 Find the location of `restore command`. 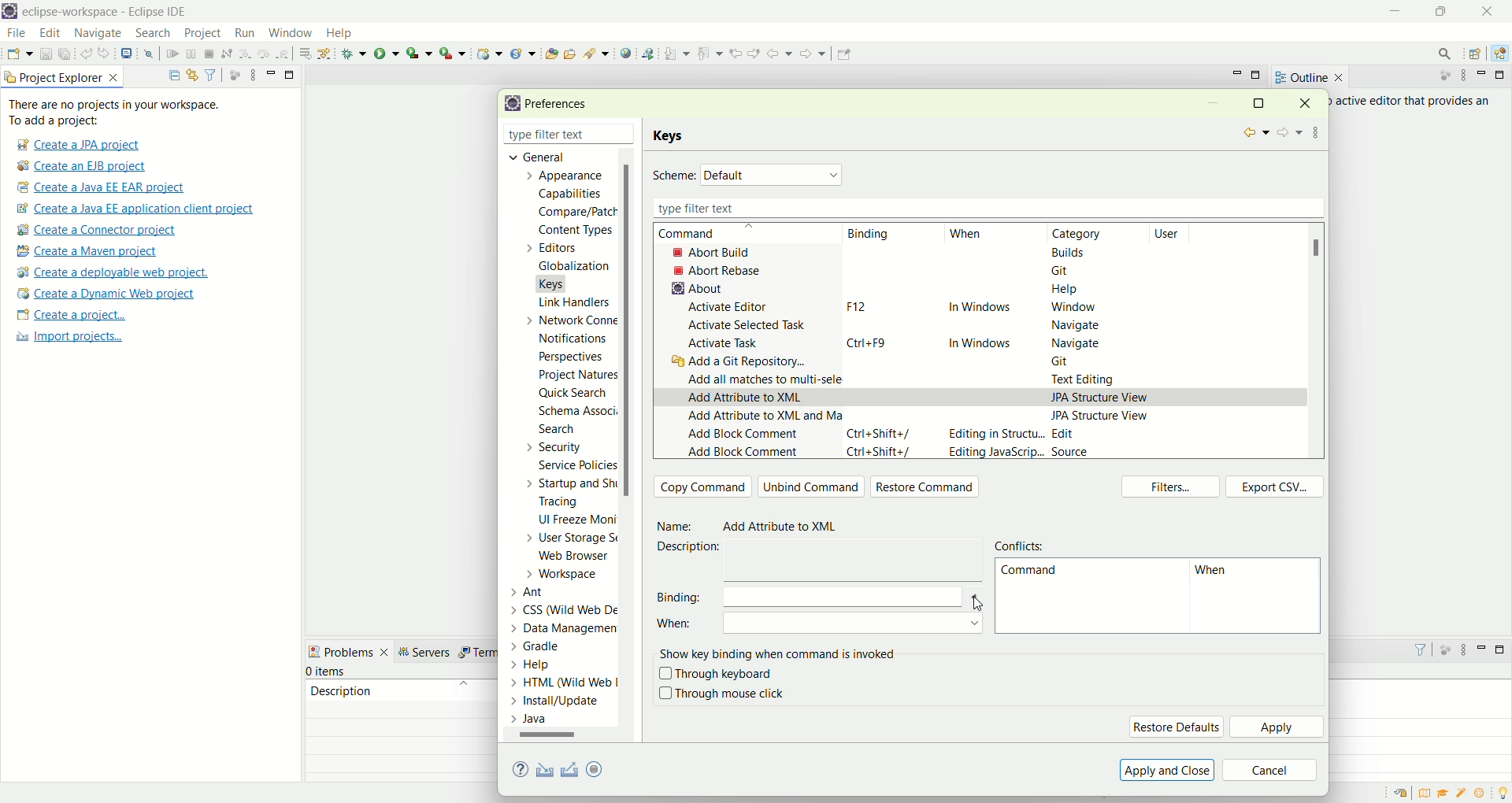

restore command is located at coordinates (929, 488).